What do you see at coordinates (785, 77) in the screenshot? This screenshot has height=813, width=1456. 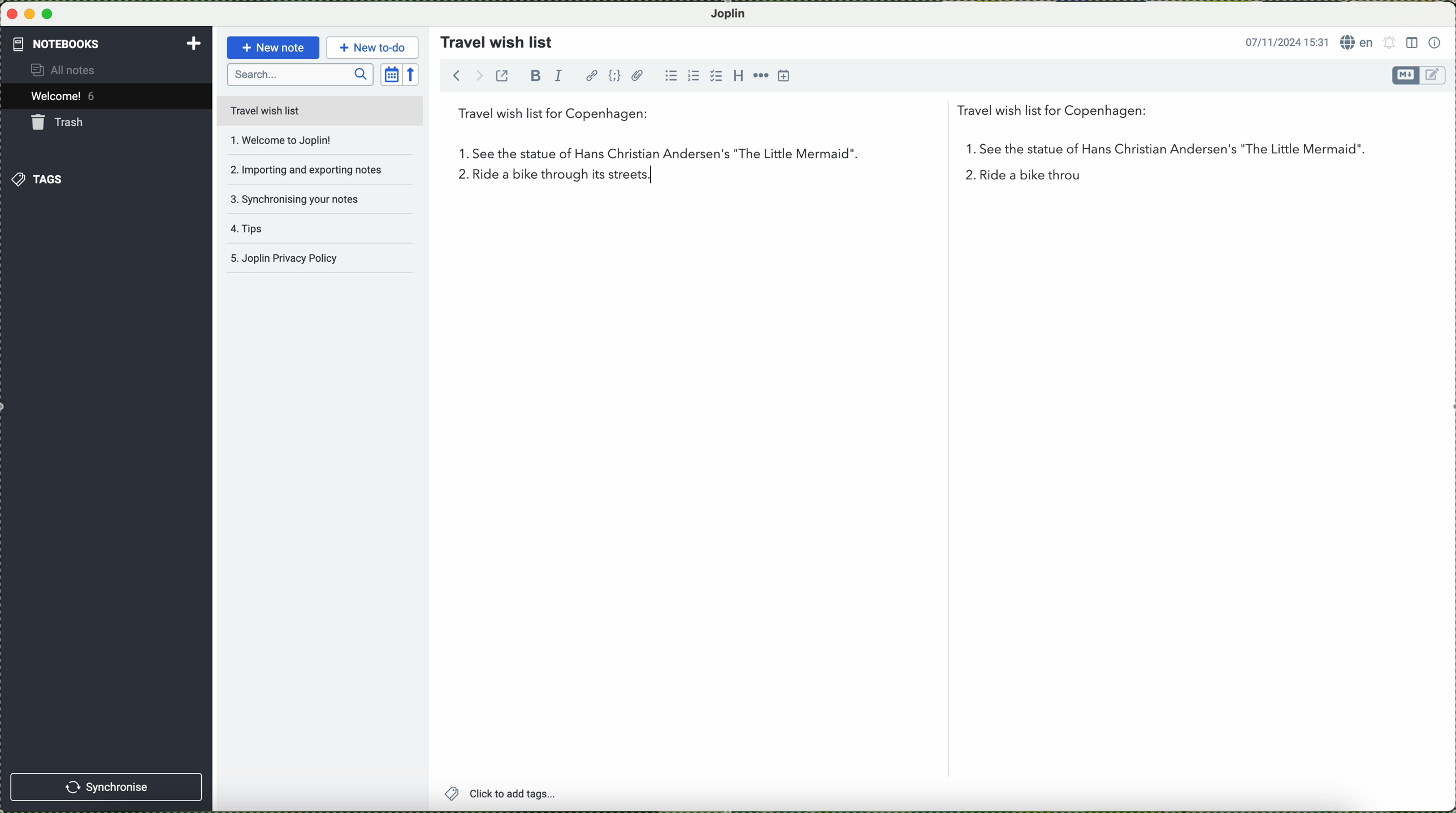 I see `insert time` at bounding box center [785, 77].